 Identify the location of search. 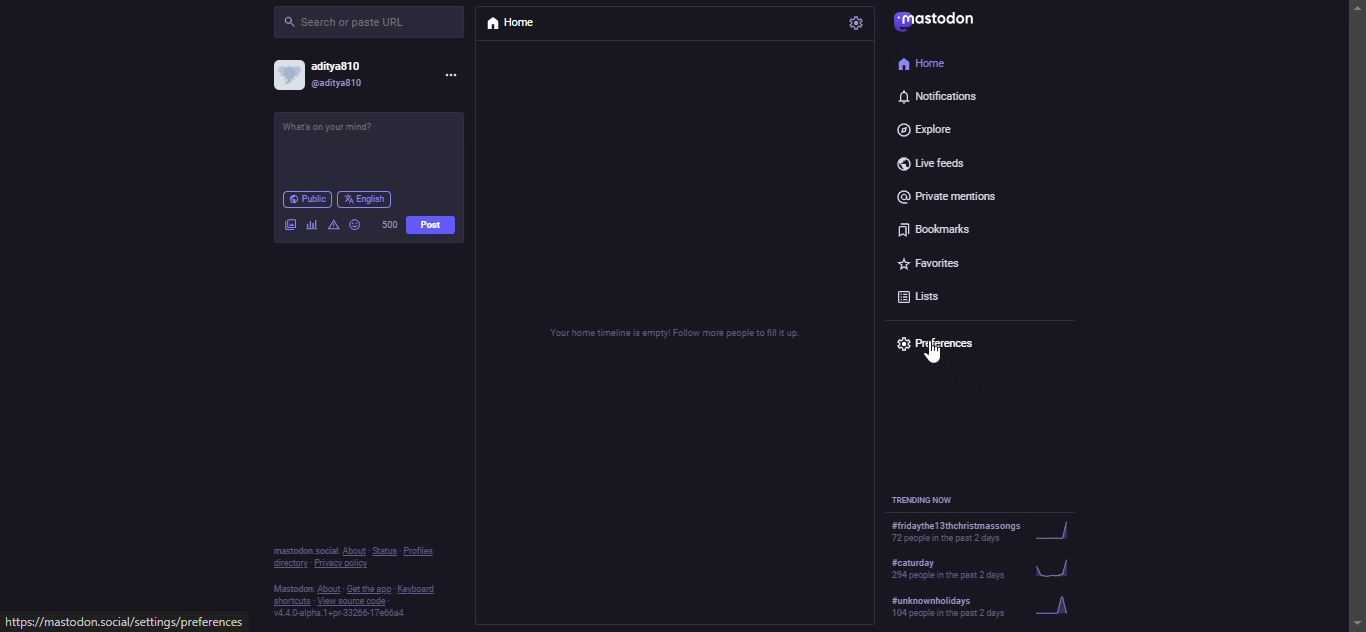
(355, 23).